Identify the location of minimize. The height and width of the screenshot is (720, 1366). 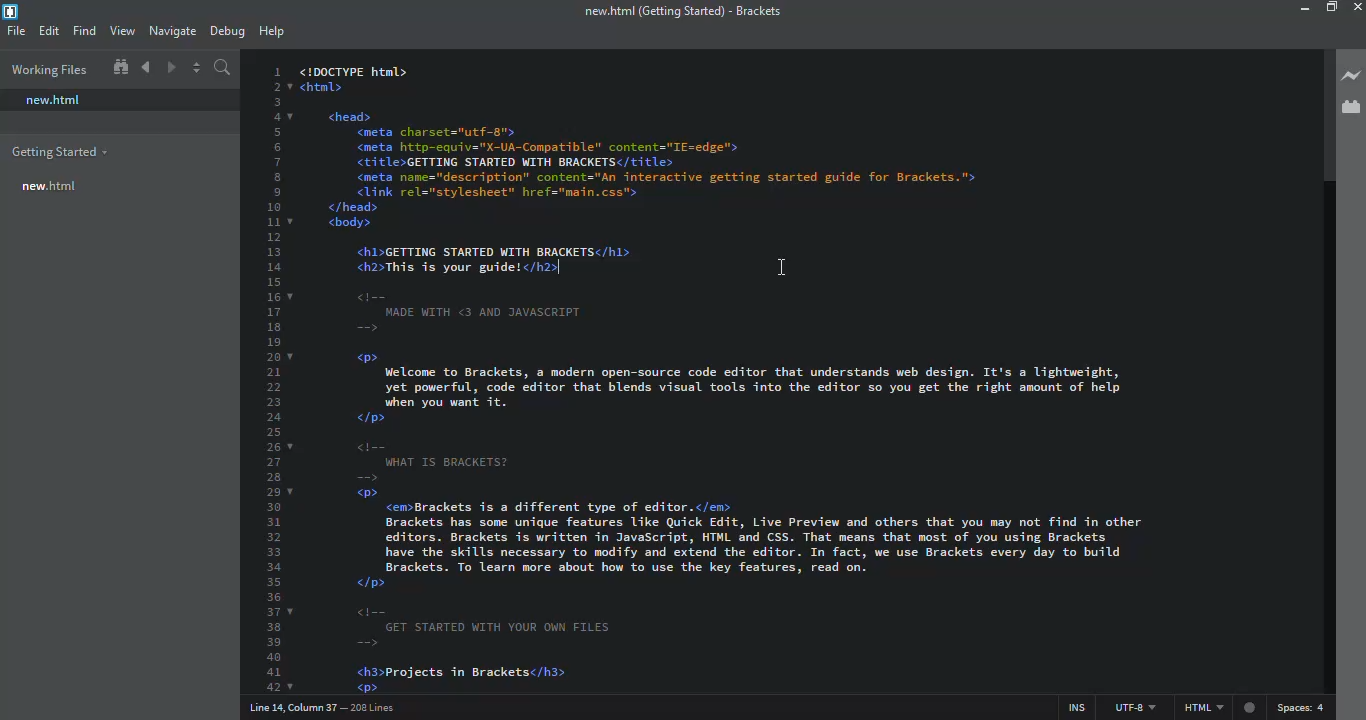
(1286, 9).